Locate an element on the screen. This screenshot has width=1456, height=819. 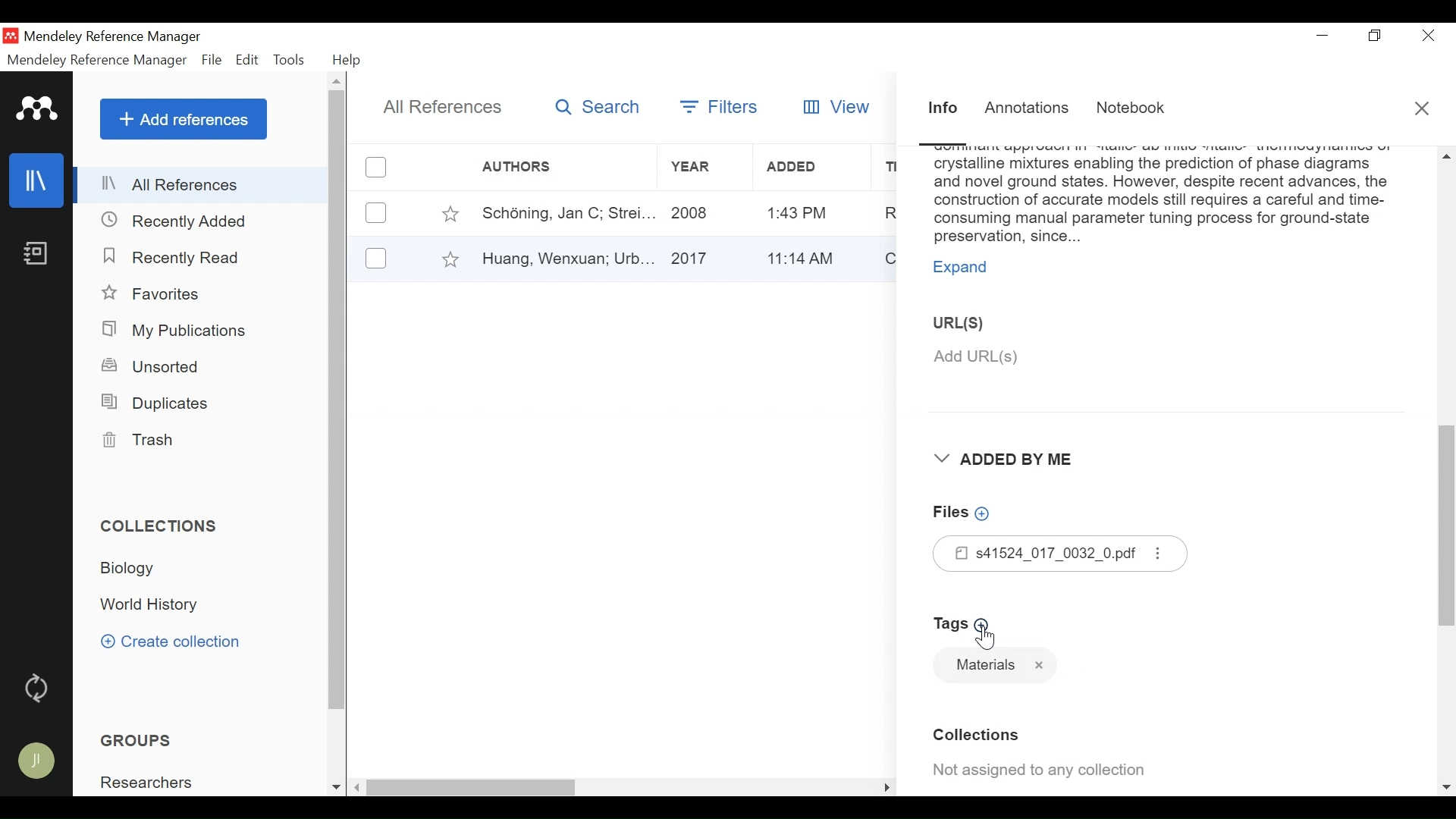
Avatar is located at coordinates (37, 761).